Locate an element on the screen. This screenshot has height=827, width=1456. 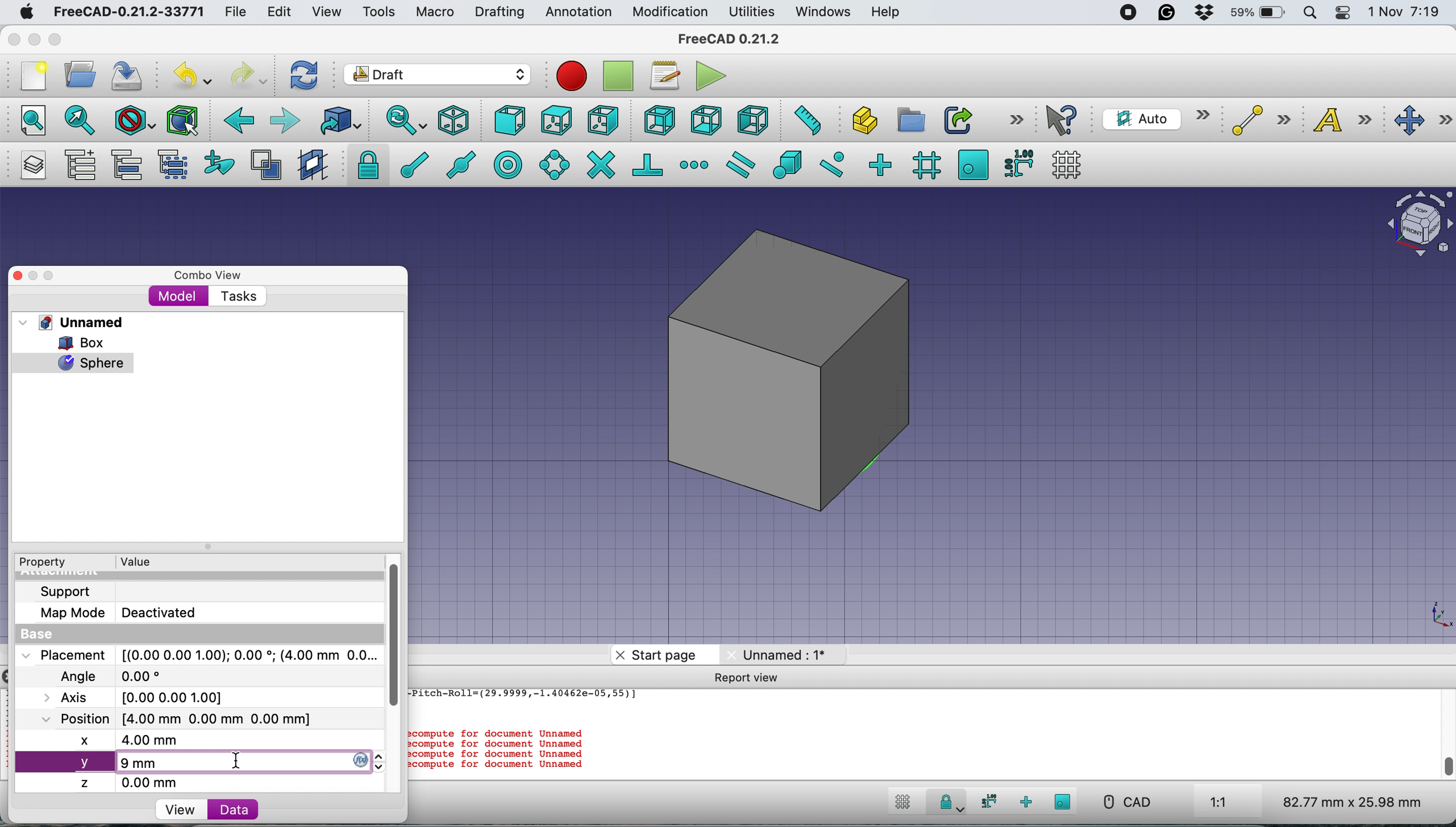
angle is located at coordinates (116, 678).